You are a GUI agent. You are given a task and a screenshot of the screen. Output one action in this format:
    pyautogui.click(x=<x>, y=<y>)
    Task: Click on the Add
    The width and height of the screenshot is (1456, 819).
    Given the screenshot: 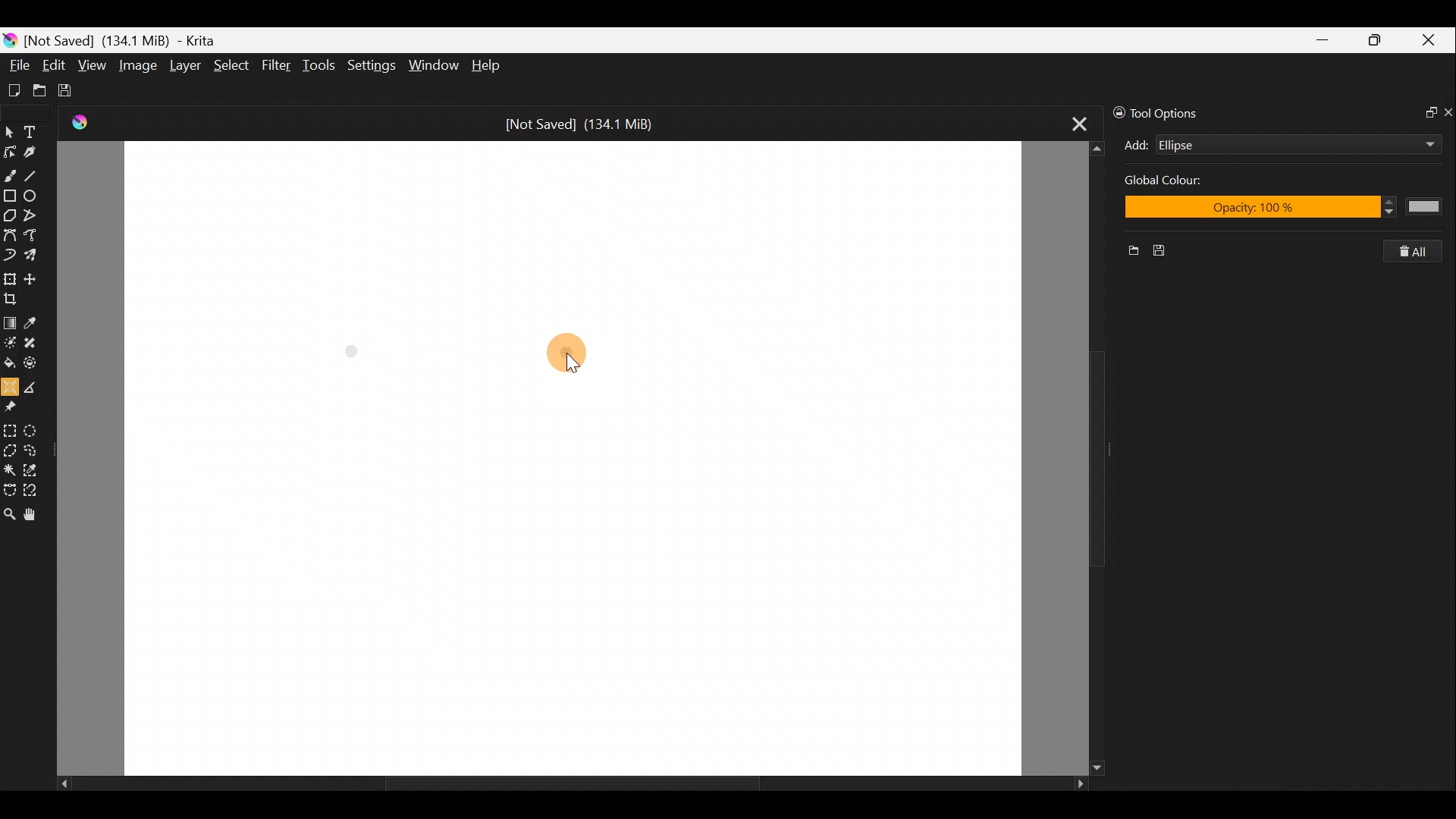 What is the action you would take?
    pyautogui.click(x=1136, y=145)
    